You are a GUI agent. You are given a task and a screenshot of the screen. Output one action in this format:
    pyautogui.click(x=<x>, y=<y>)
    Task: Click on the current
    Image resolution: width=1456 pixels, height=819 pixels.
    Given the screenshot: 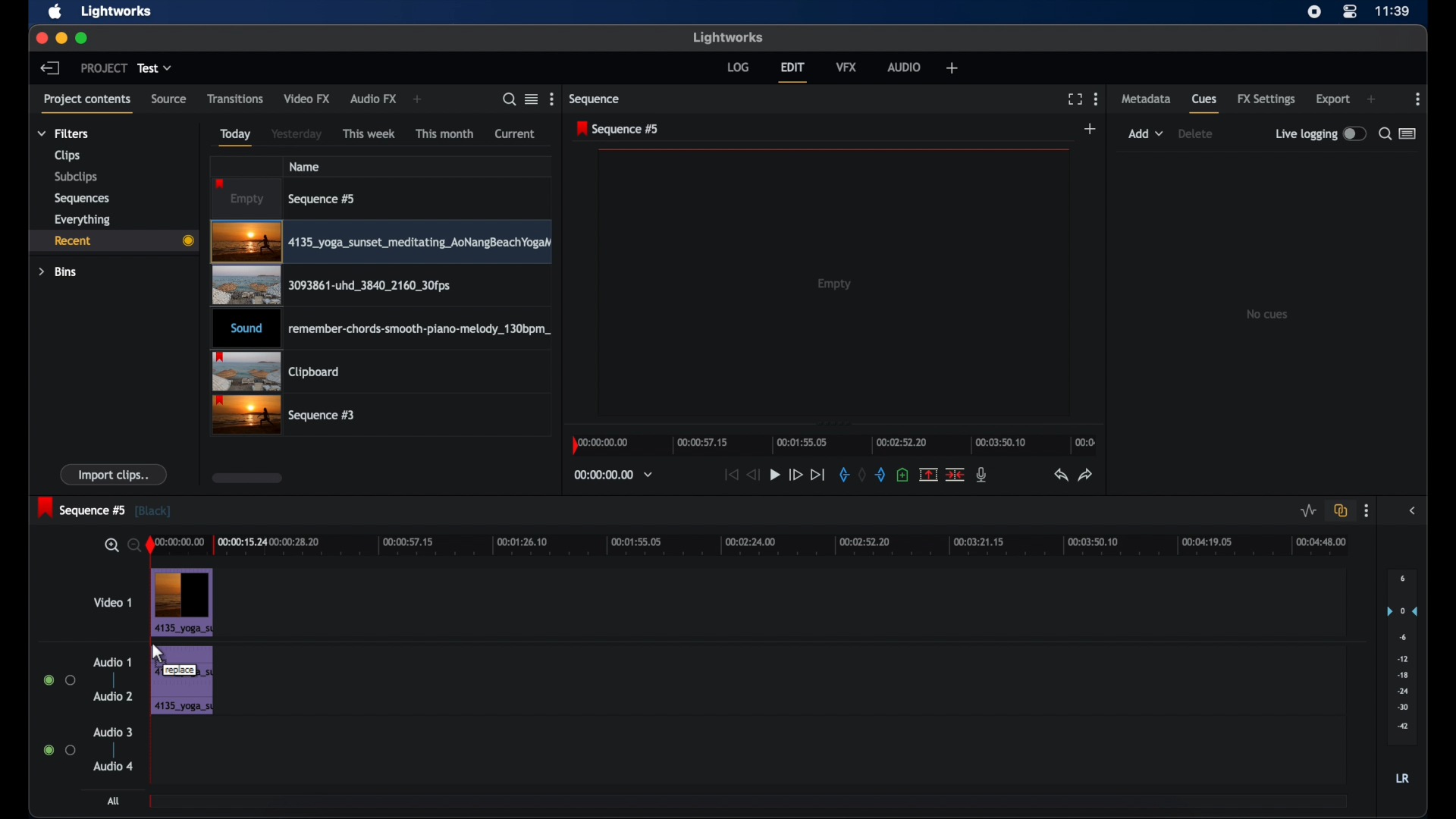 What is the action you would take?
    pyautogui.click(x=516, y=133)
    